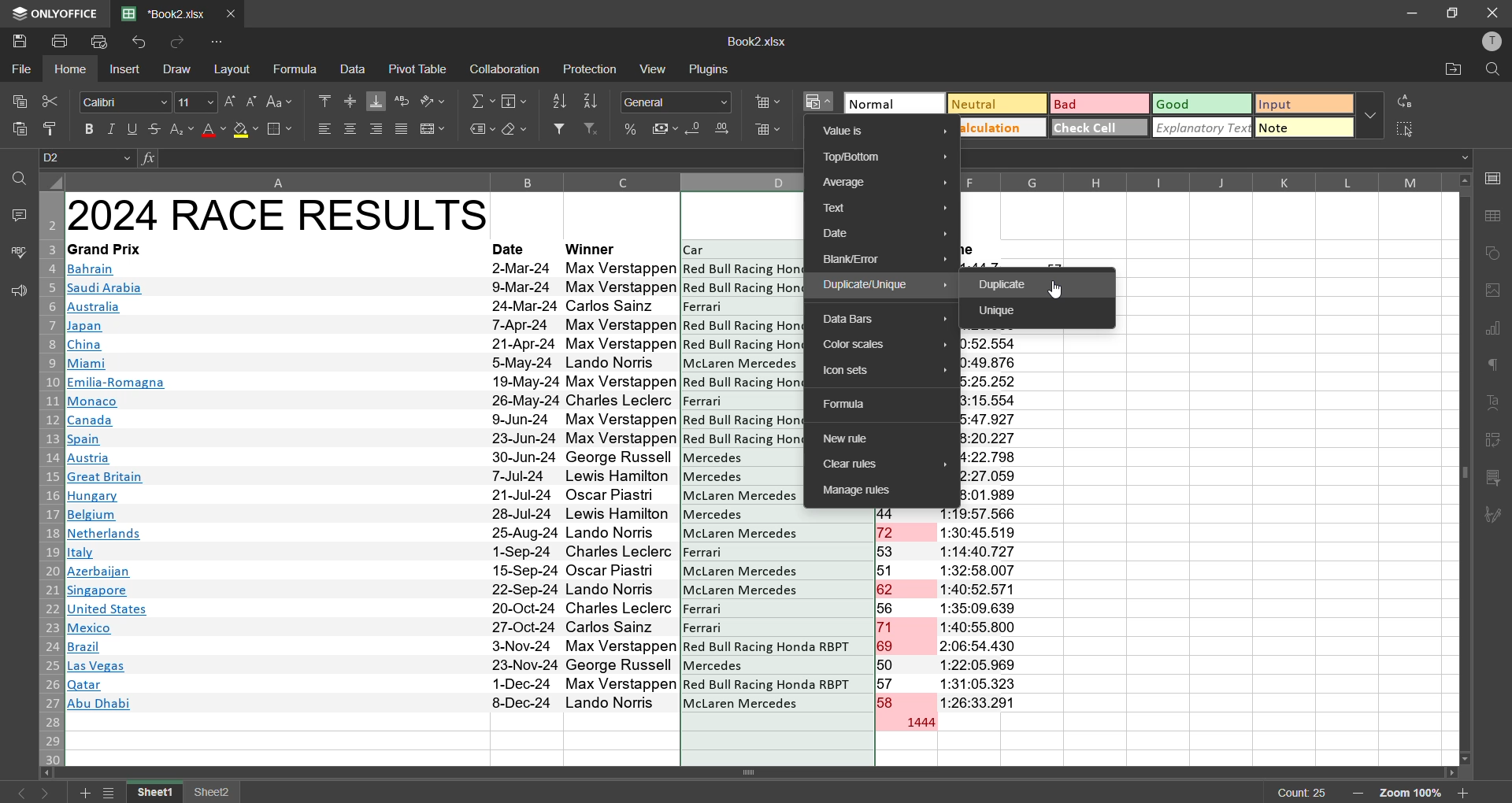 Image resolution: width=1512 pixels, height=803 pixels. Describe the element at coordinates (1092, 107) in the screenshot. I see `bad` at that location.